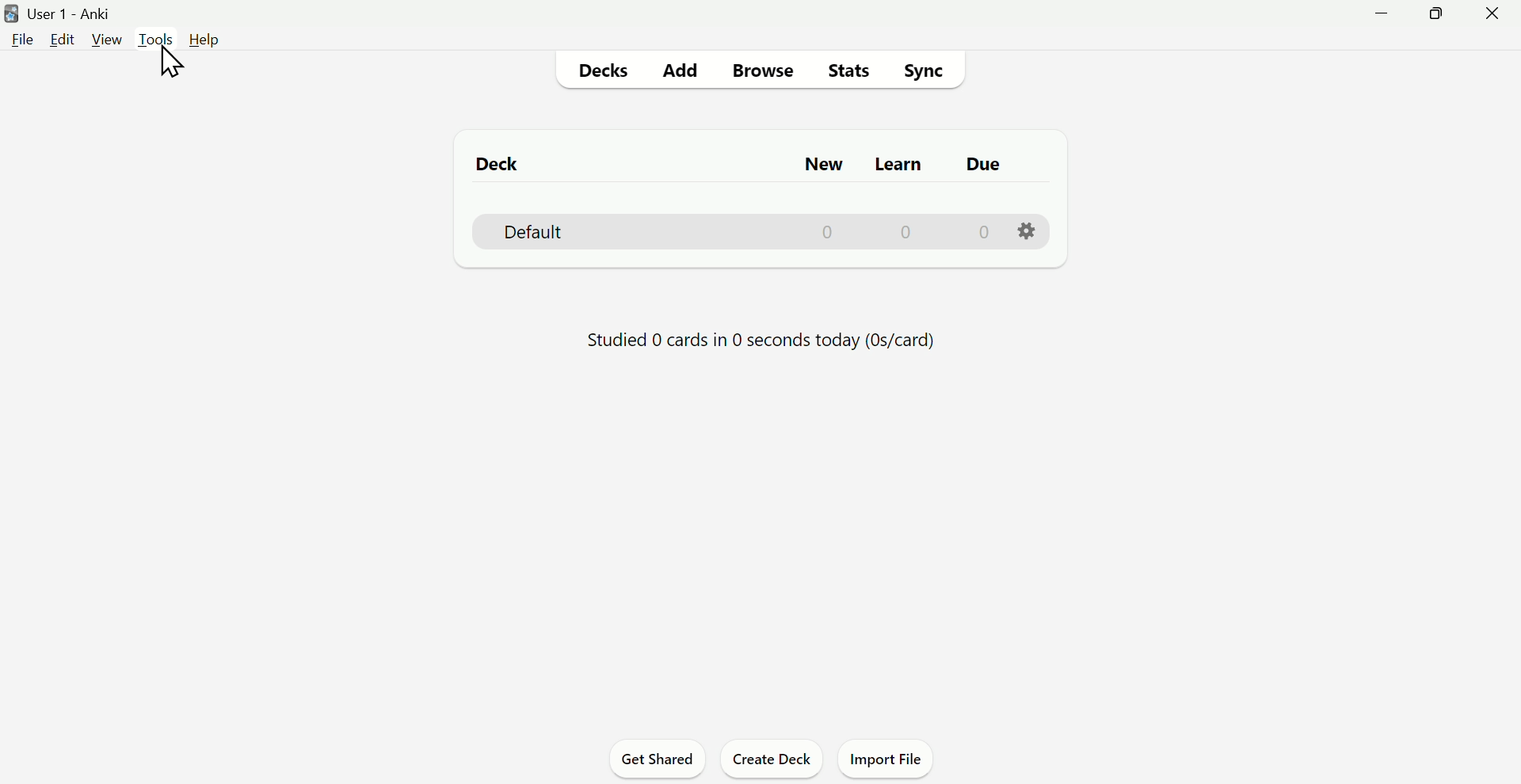  I want to click on stats, so click(847, 70).